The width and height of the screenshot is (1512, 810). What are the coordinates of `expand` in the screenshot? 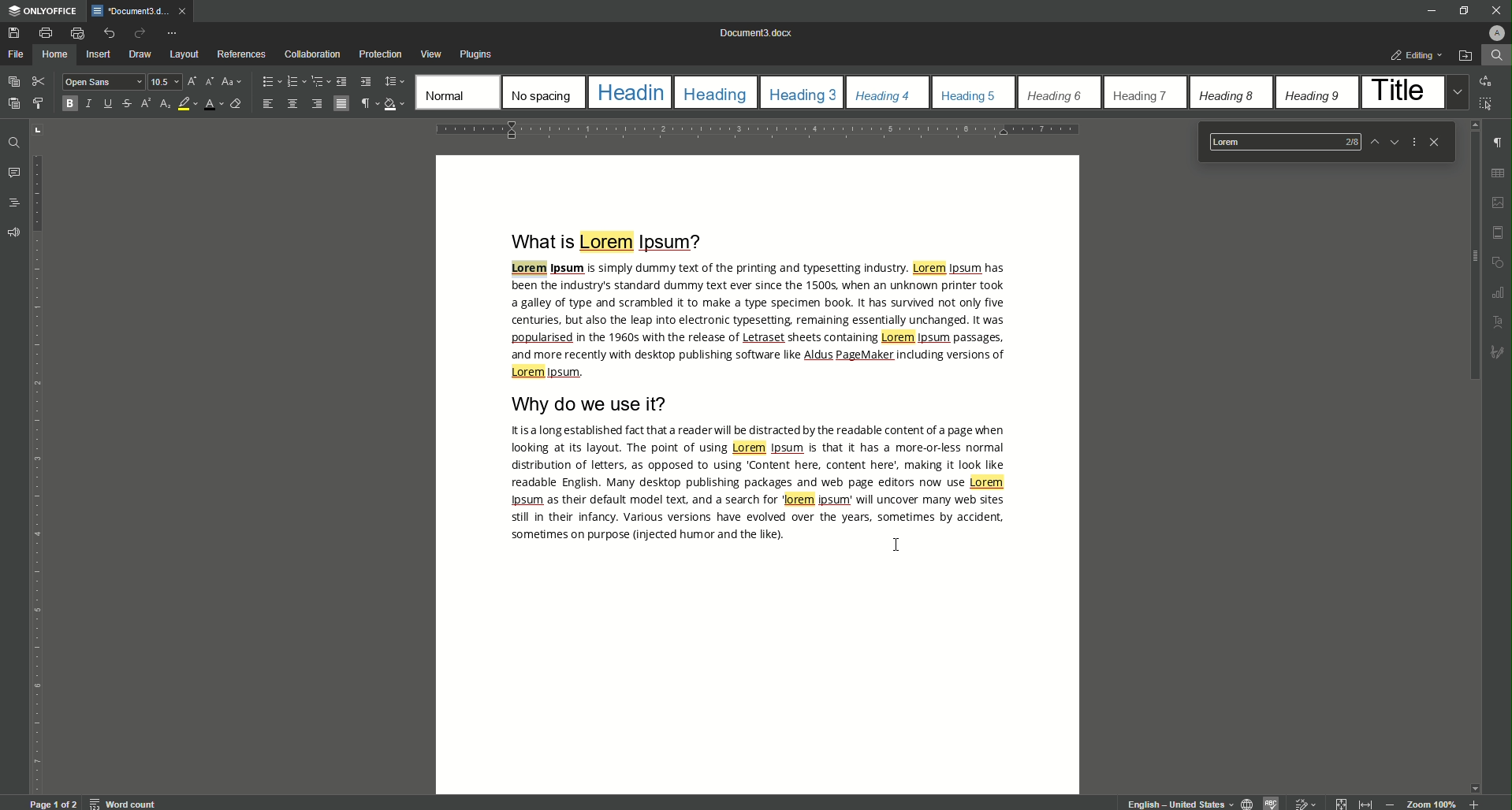 It's located at (1364, 804).